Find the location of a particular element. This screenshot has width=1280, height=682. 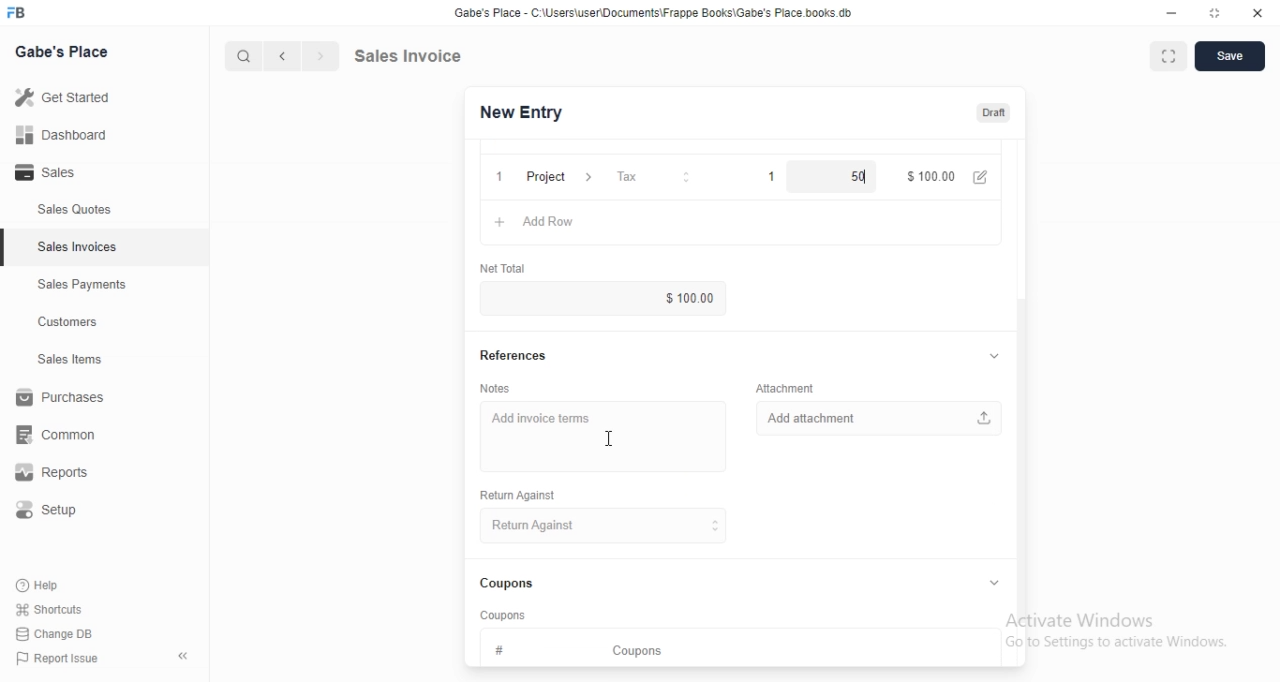

1 is located at coordinates (495, 174).